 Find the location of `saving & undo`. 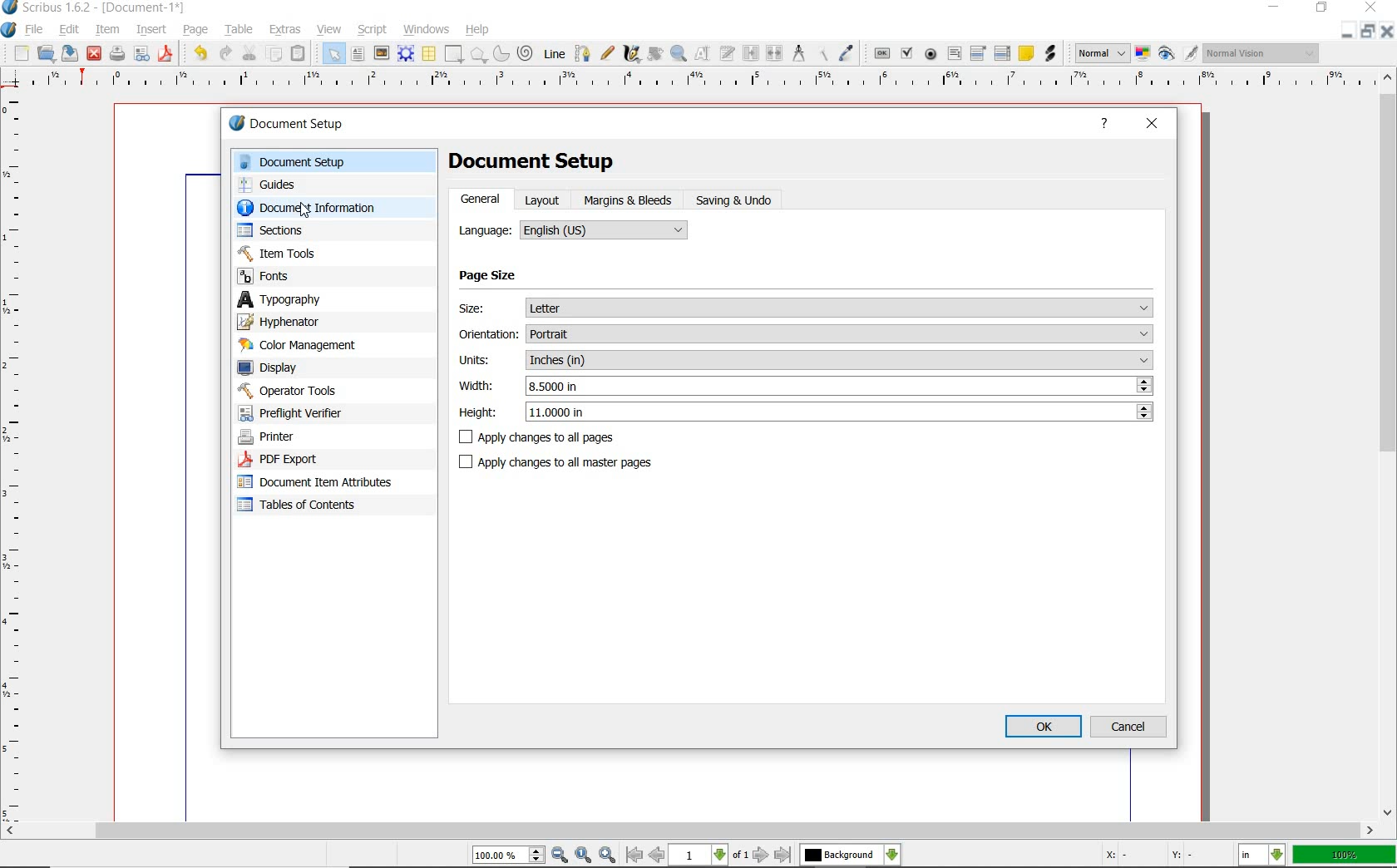

saving & undo is located at coordinates (734, 200).